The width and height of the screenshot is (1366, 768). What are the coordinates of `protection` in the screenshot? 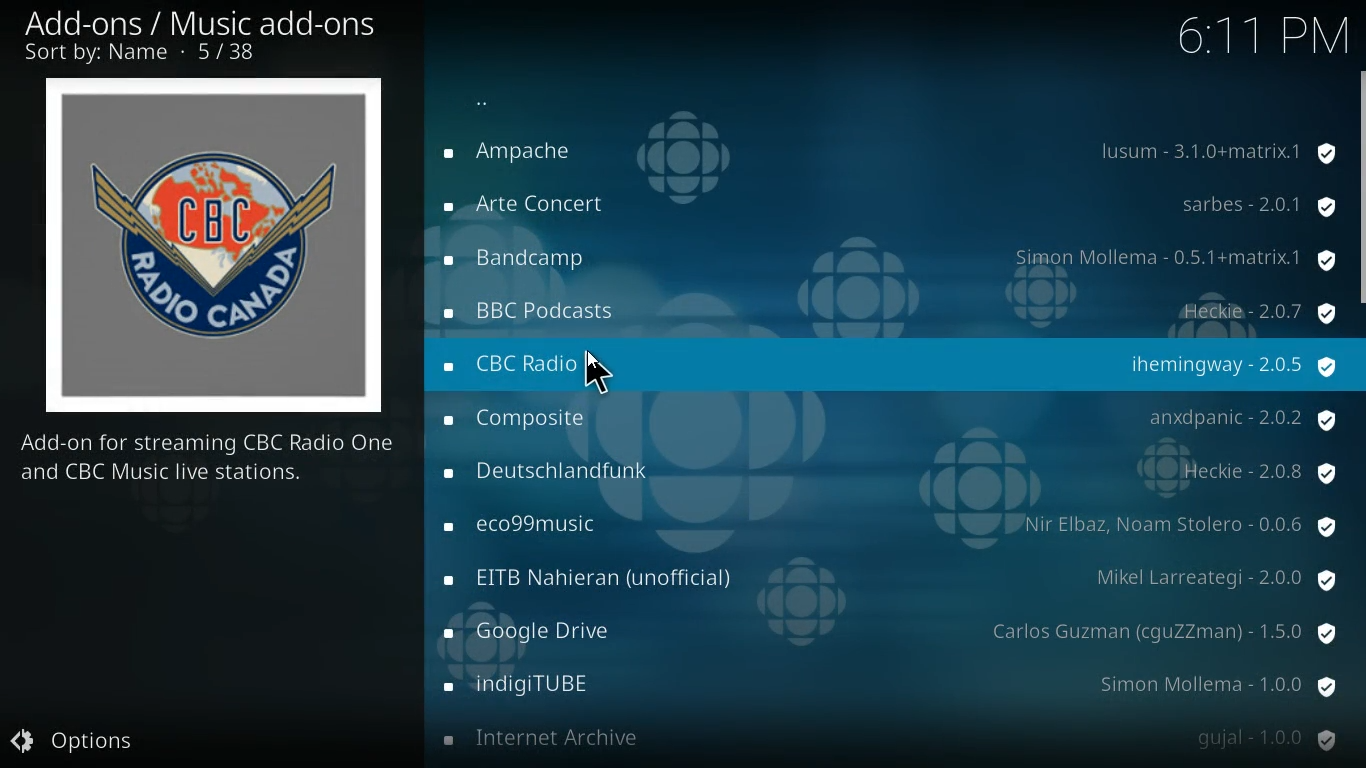 It's located at (1242, 472).